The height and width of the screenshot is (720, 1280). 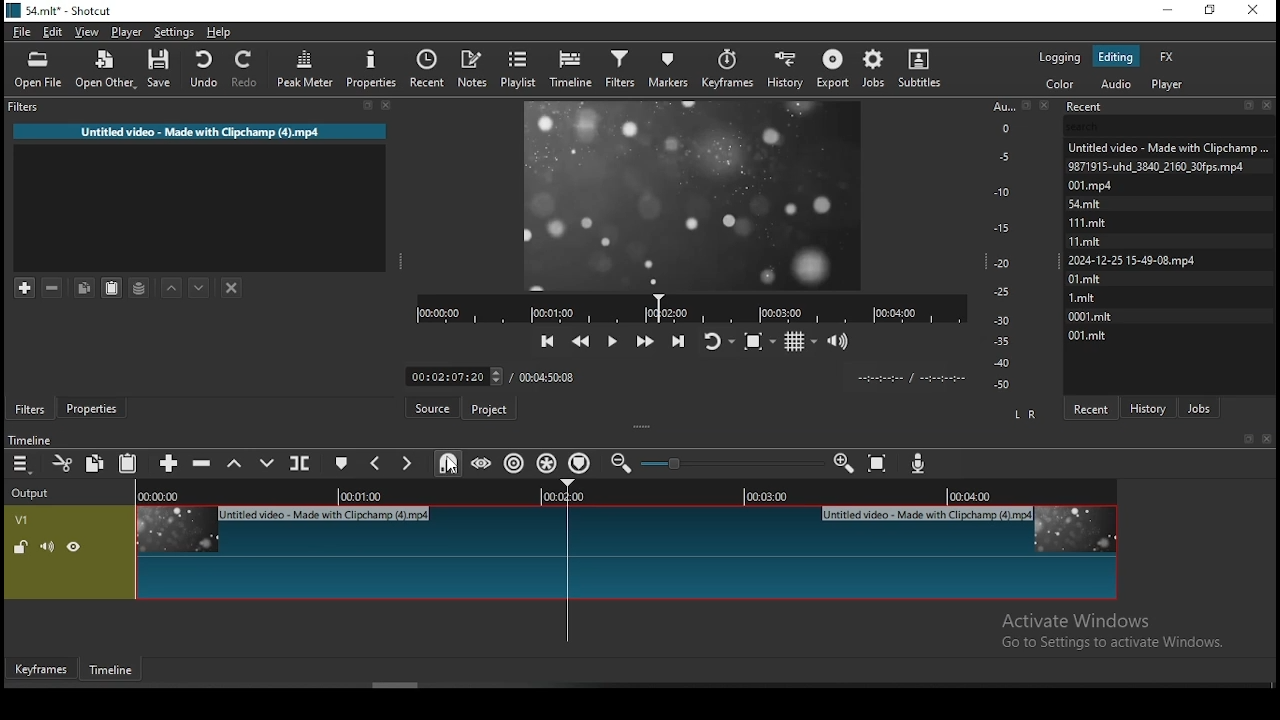 What do you see at coordinates (759, 343) in the screenshot?
I see `toggle zoom` at bounding box center [759, 343].